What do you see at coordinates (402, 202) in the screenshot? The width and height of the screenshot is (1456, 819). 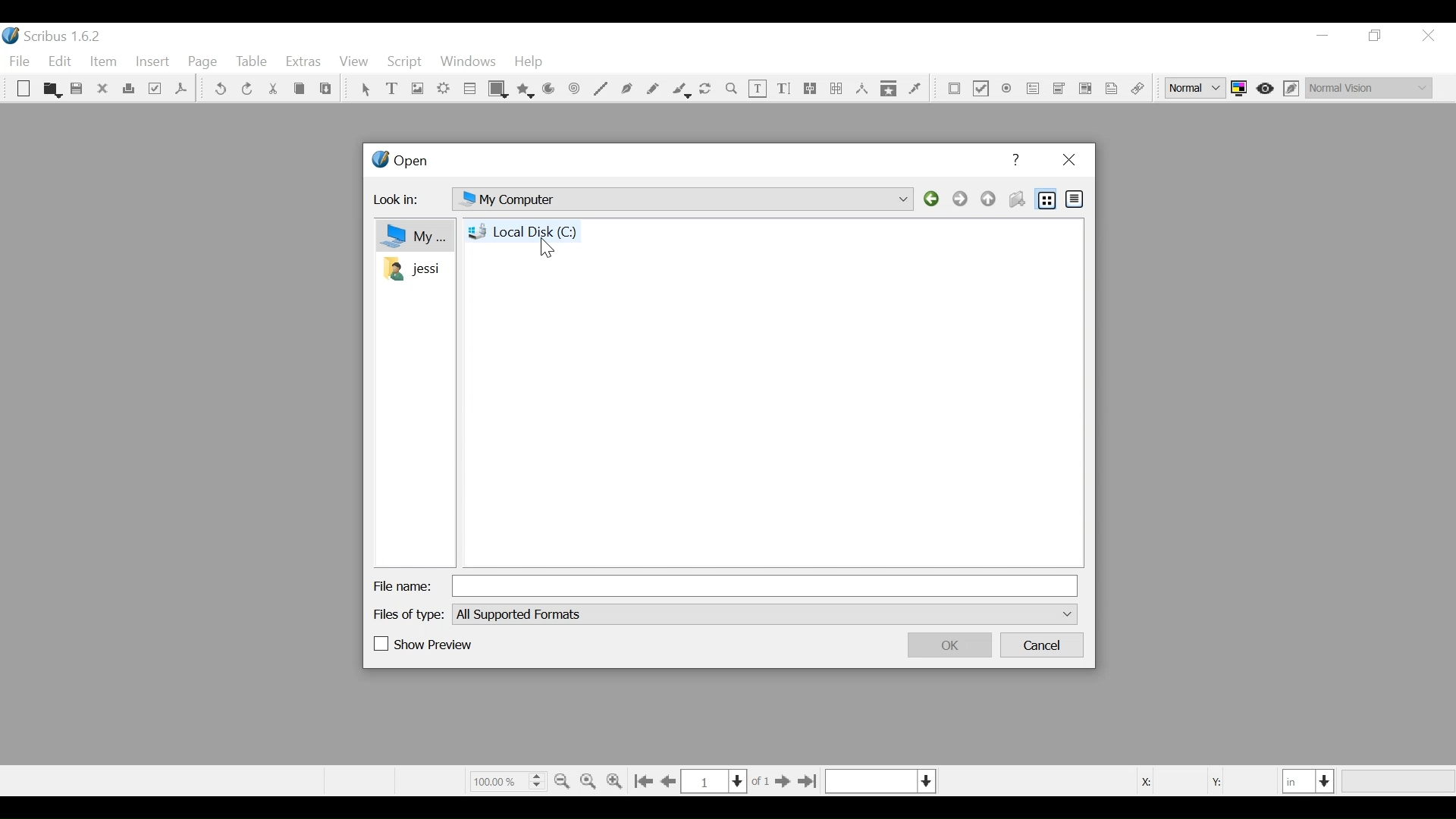 I see `Look in` at bounding box center [402, 202].